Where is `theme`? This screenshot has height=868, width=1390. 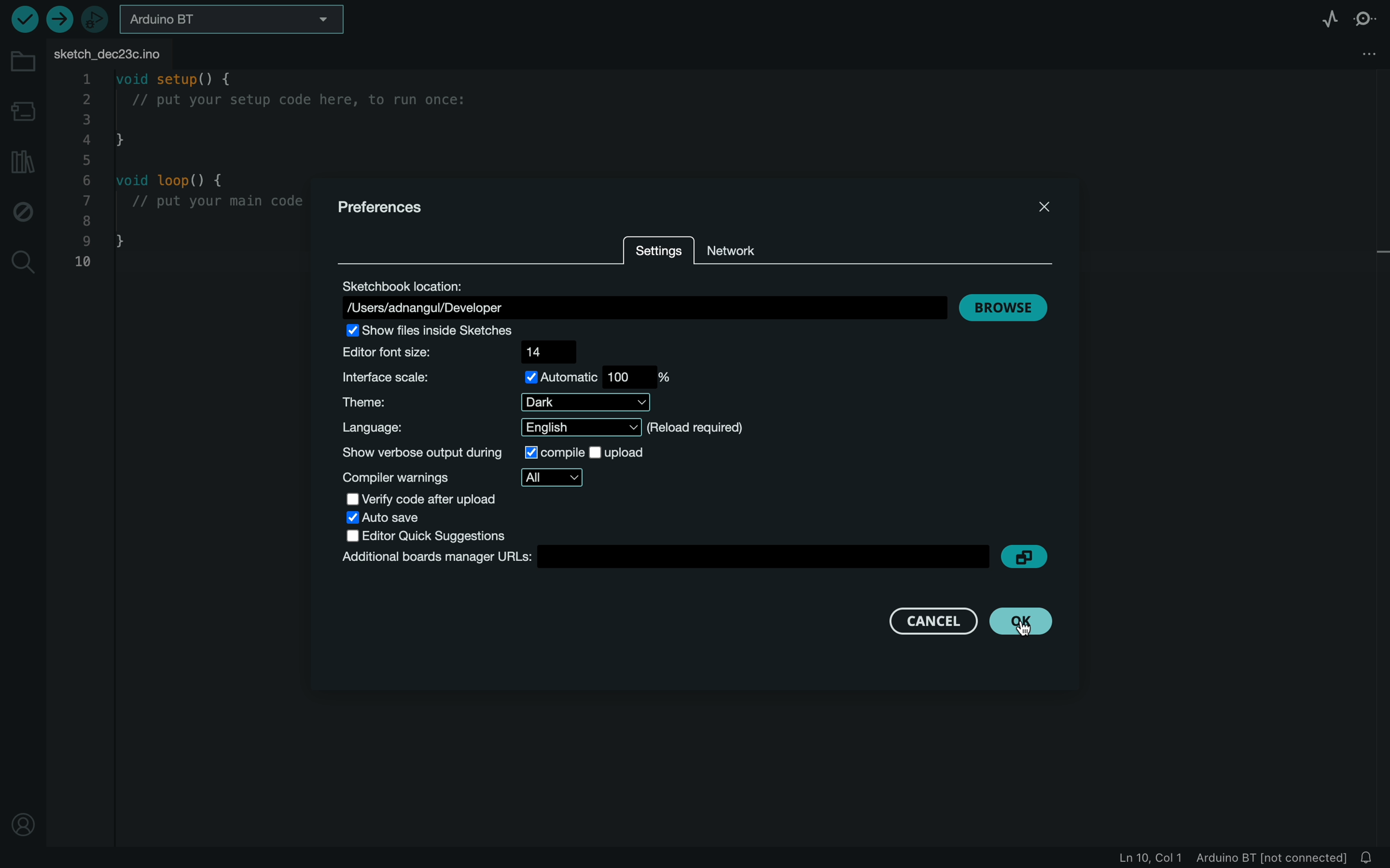
theme is located at coordinates (498, 404).